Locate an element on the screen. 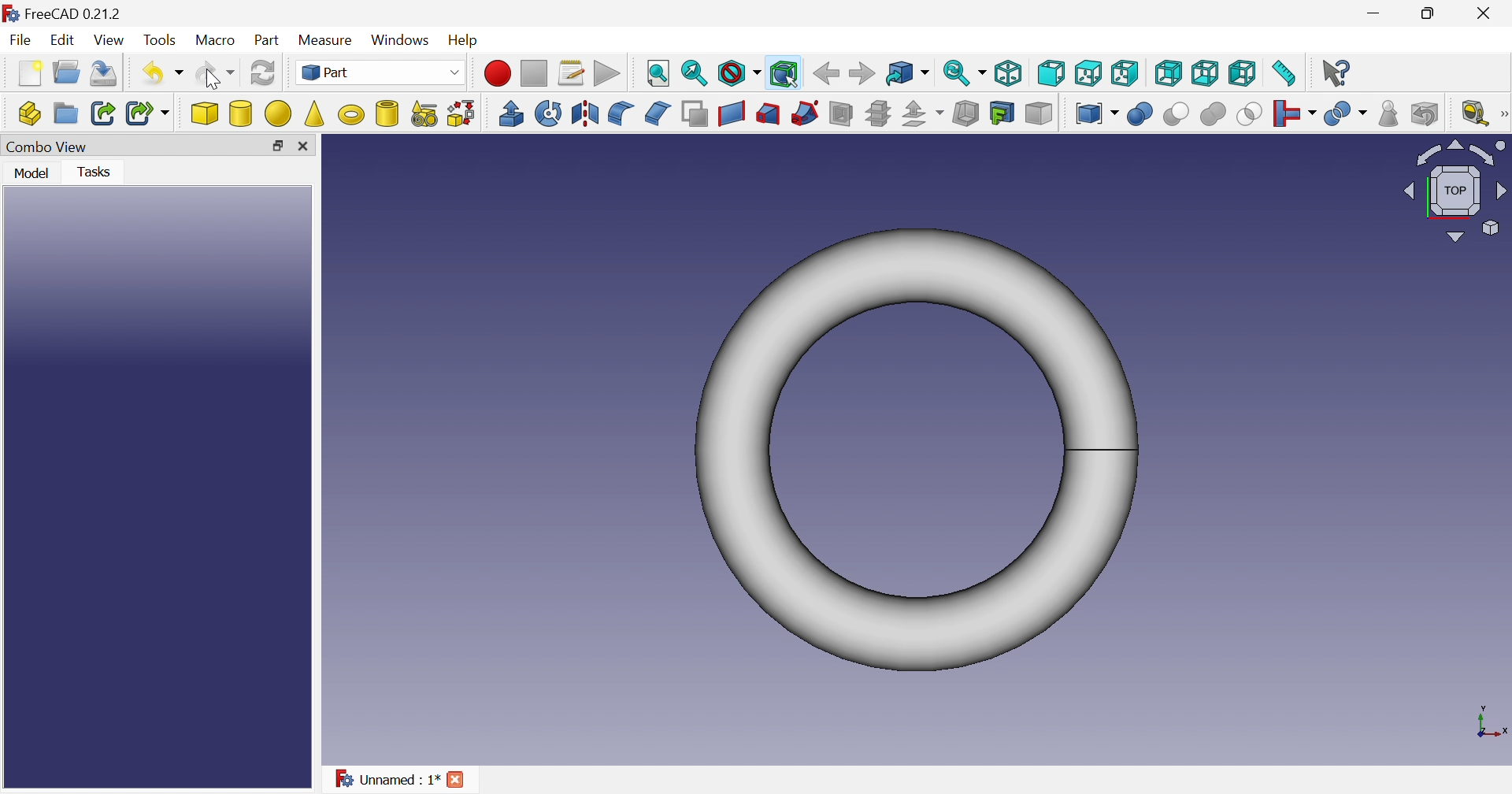 This screenshot has height=794, width=1512. Bottom is located at coordinates (1205, 74).